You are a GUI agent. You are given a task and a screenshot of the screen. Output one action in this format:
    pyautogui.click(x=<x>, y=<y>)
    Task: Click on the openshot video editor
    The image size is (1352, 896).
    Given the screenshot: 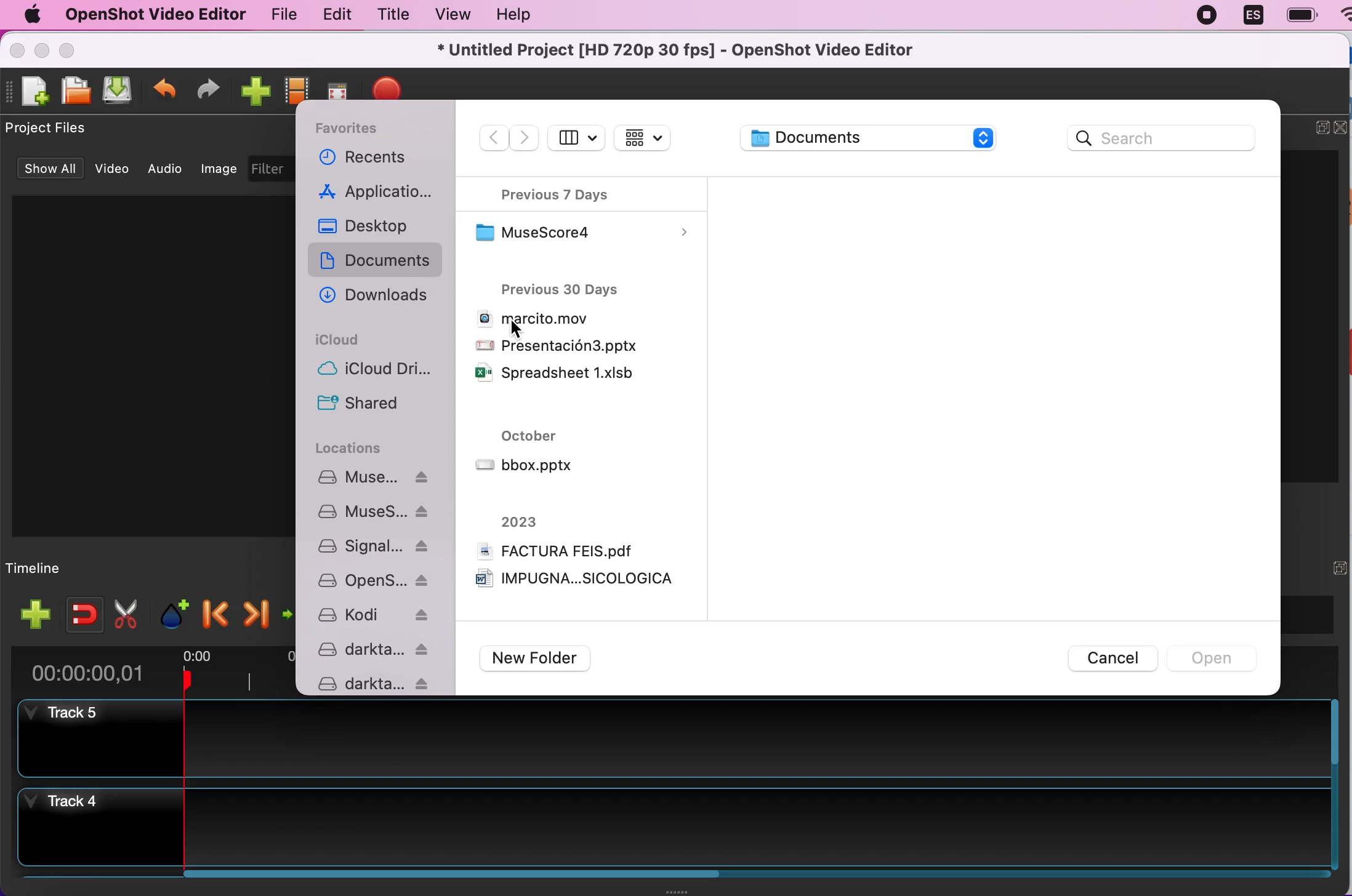 What is the action you would take?
    pyautogui.click(x=151, y=15)
    